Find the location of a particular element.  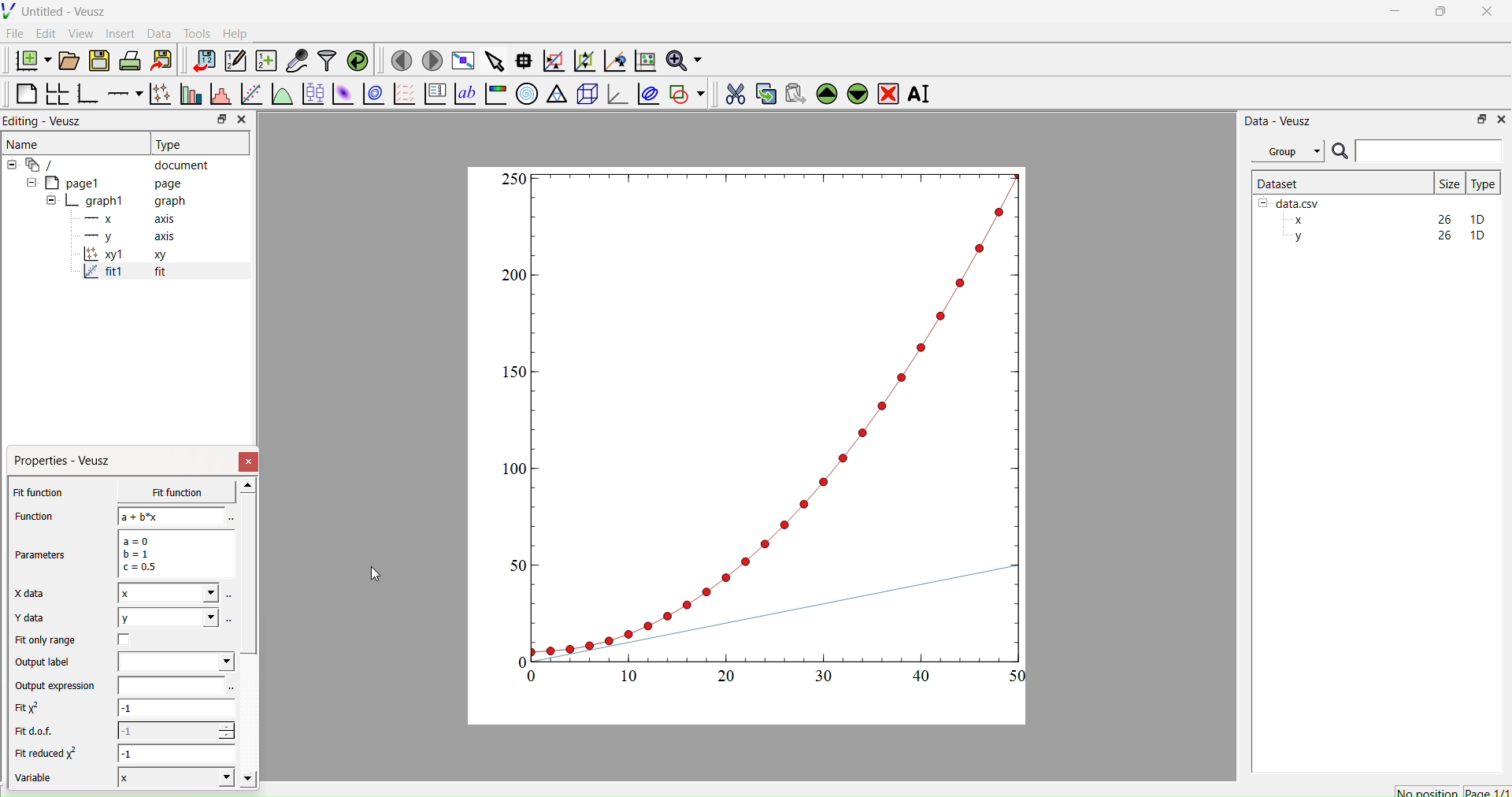

a= 0 b=1 c = 0.5 is located at coordinates (173, 554).